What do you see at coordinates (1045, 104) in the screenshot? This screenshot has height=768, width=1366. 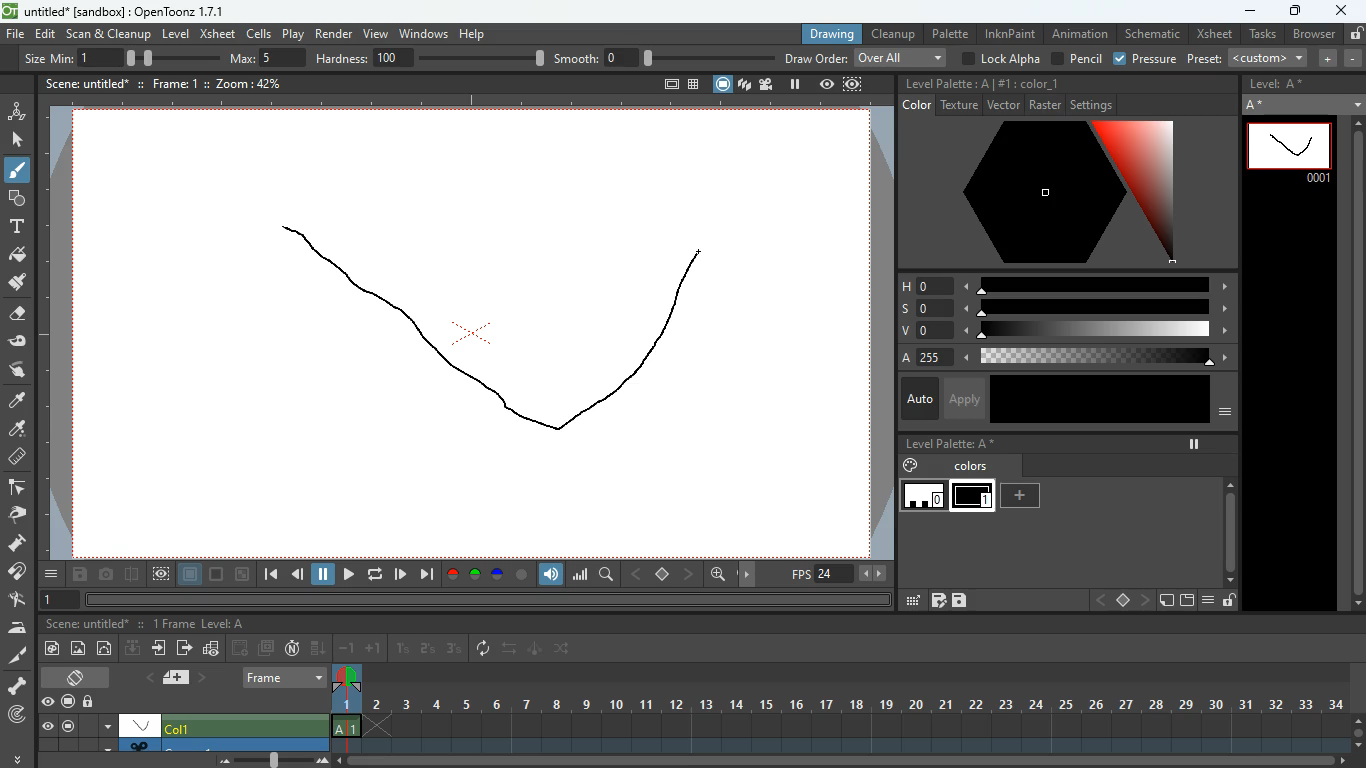 I see `Raster` at bounding box center [1045, 104].